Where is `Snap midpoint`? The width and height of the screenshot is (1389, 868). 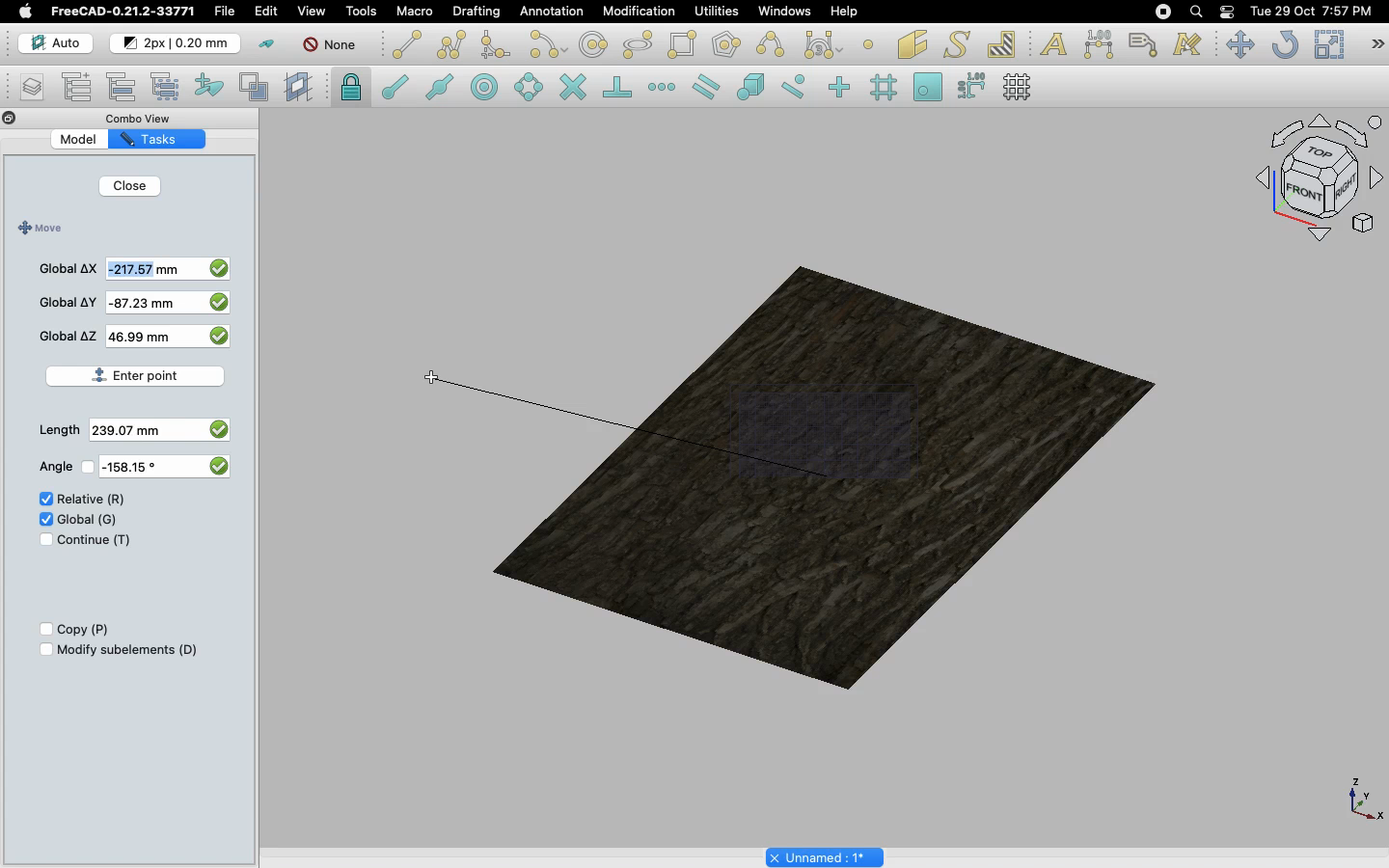 Snap midpoint is located at coordinates (441, 90).